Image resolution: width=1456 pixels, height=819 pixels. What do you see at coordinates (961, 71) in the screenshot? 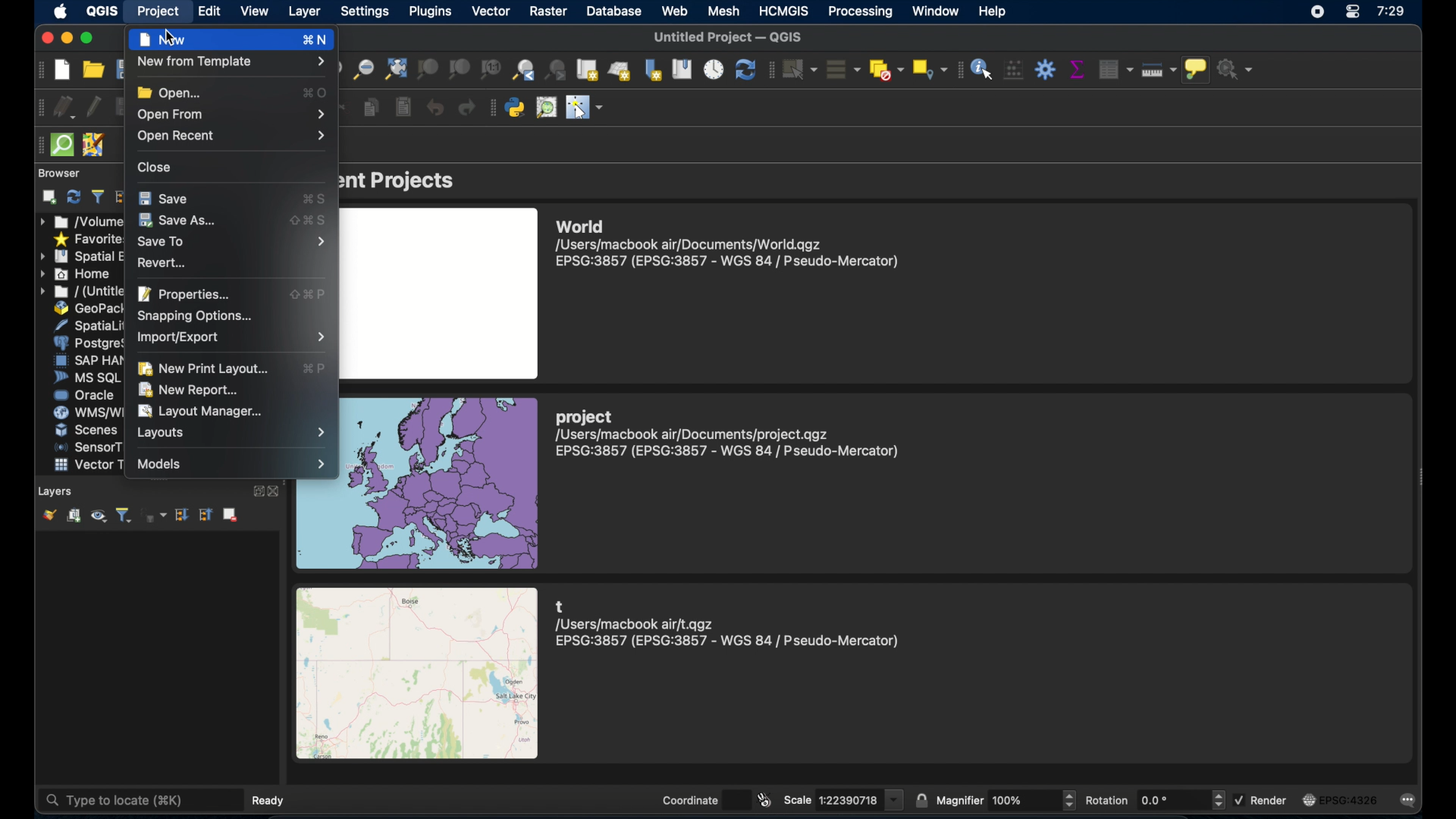
I see `attribute toolbar` at bounding box center [961, 71].